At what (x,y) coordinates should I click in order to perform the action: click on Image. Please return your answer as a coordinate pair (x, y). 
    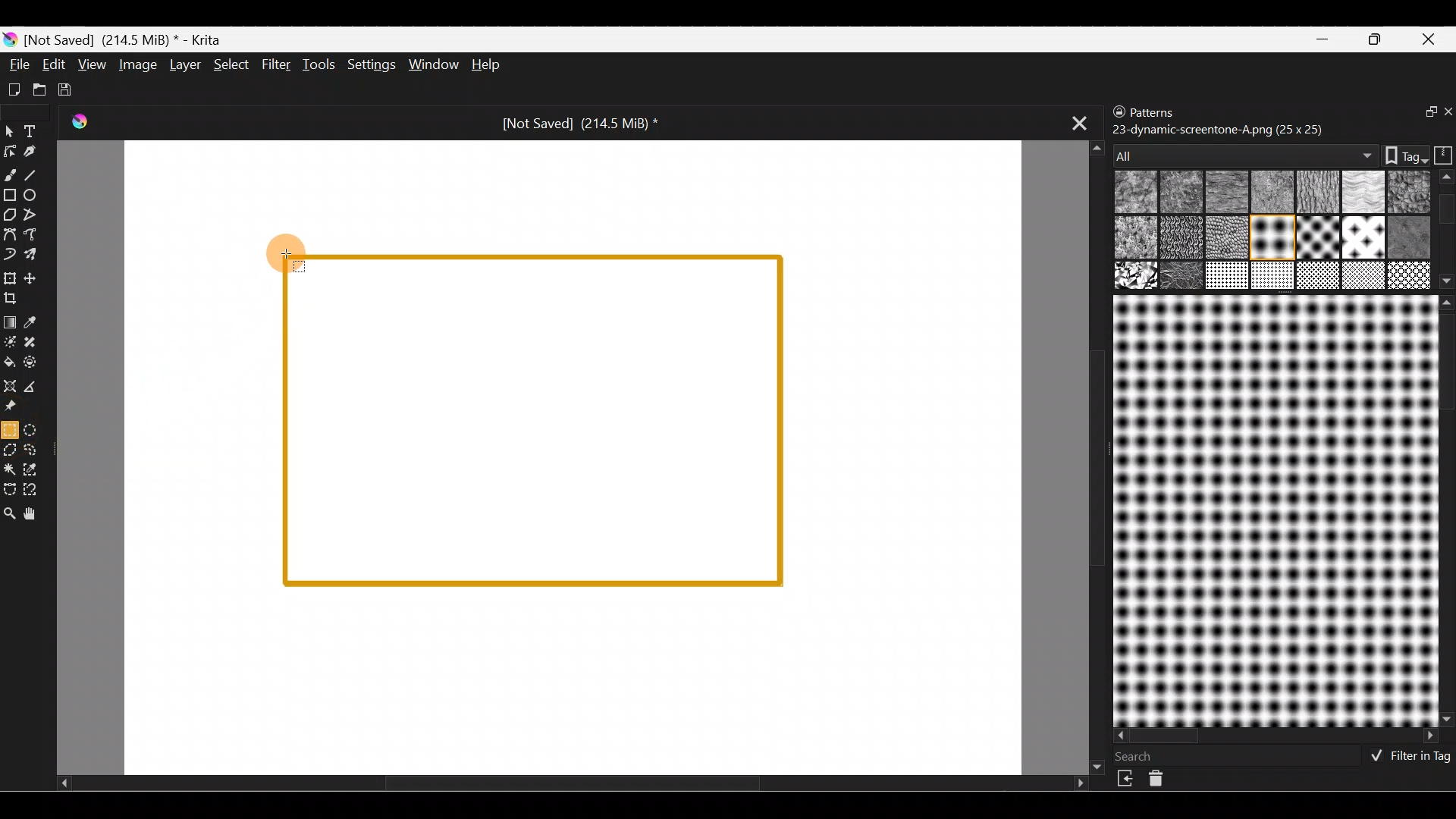
    Looking at the image, I should click on (136, 64).